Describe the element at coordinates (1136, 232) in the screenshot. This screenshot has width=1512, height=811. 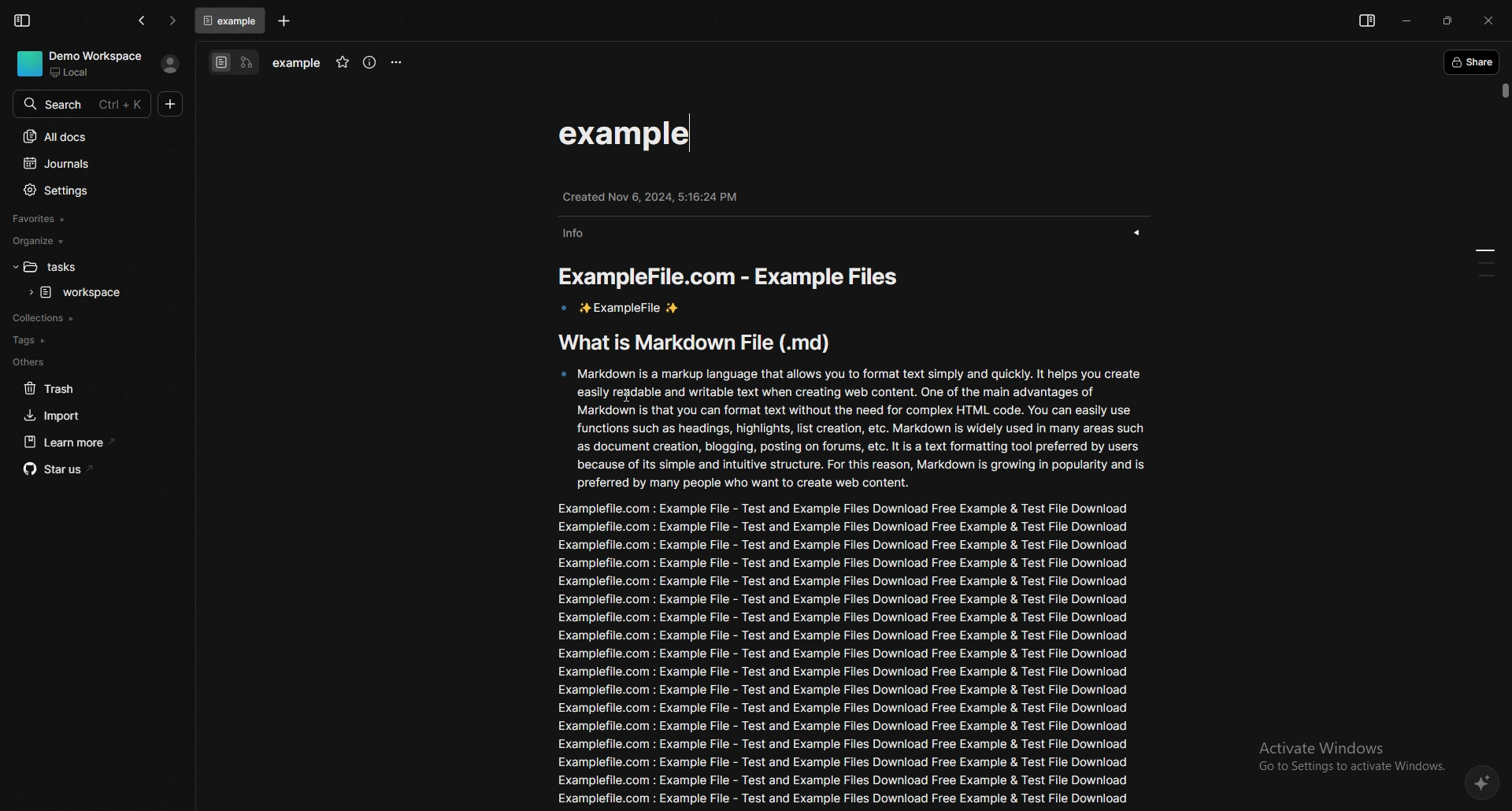
I see `show` at that location.